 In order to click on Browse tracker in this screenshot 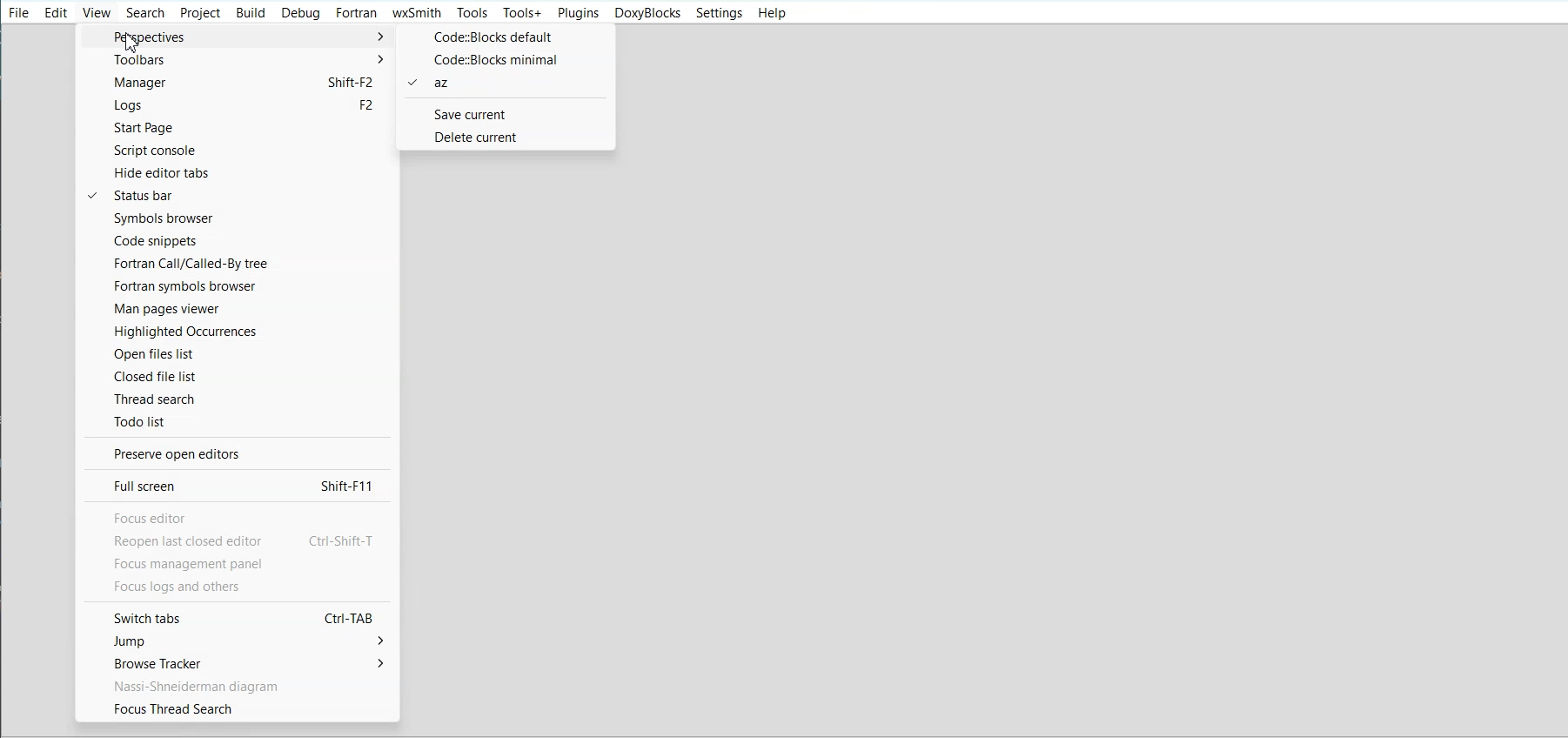, I will do `click(245, 662)`.